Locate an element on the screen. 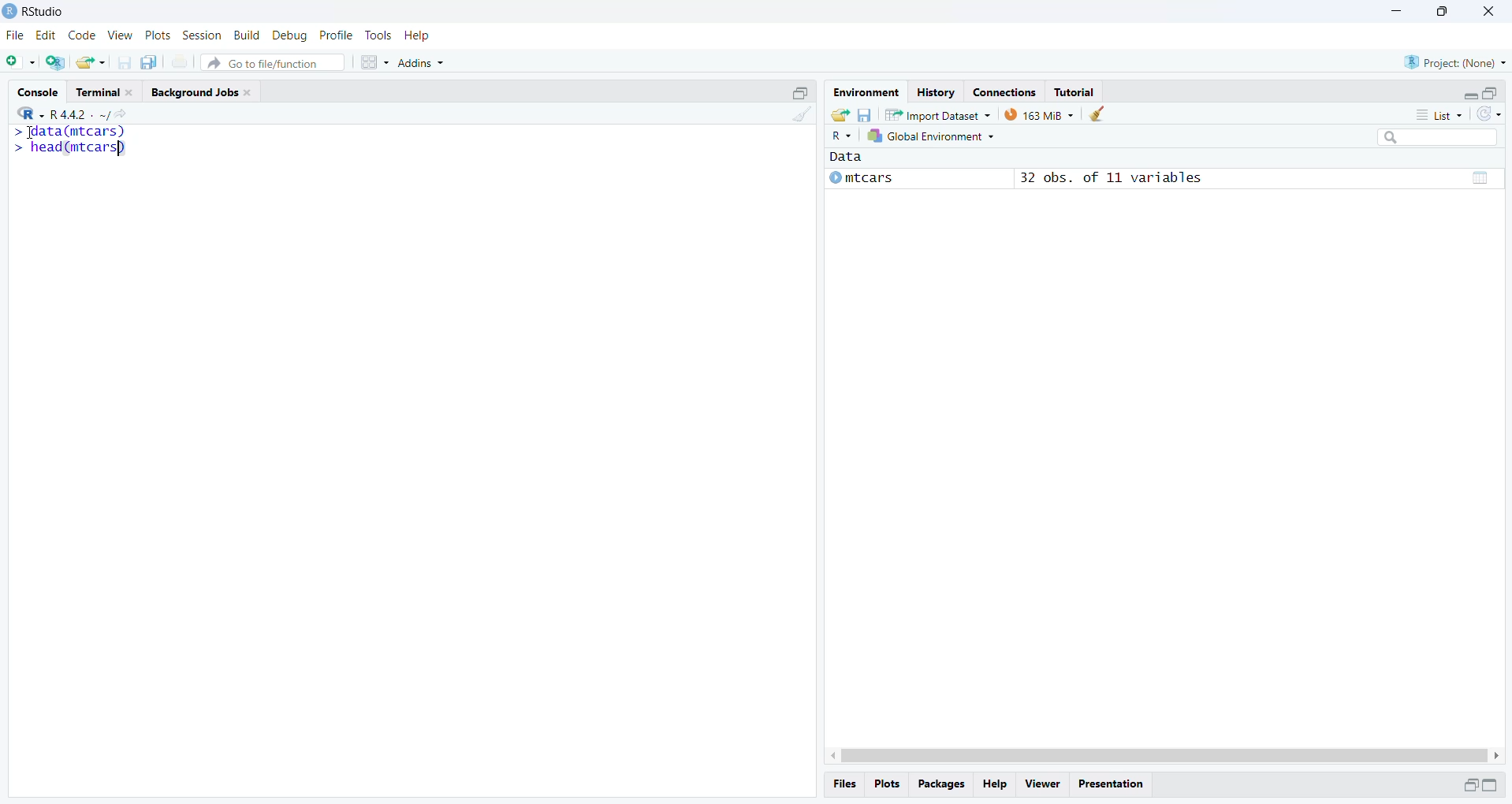 The image size is (1512, 804). tools is located at coordinates (379, 35).